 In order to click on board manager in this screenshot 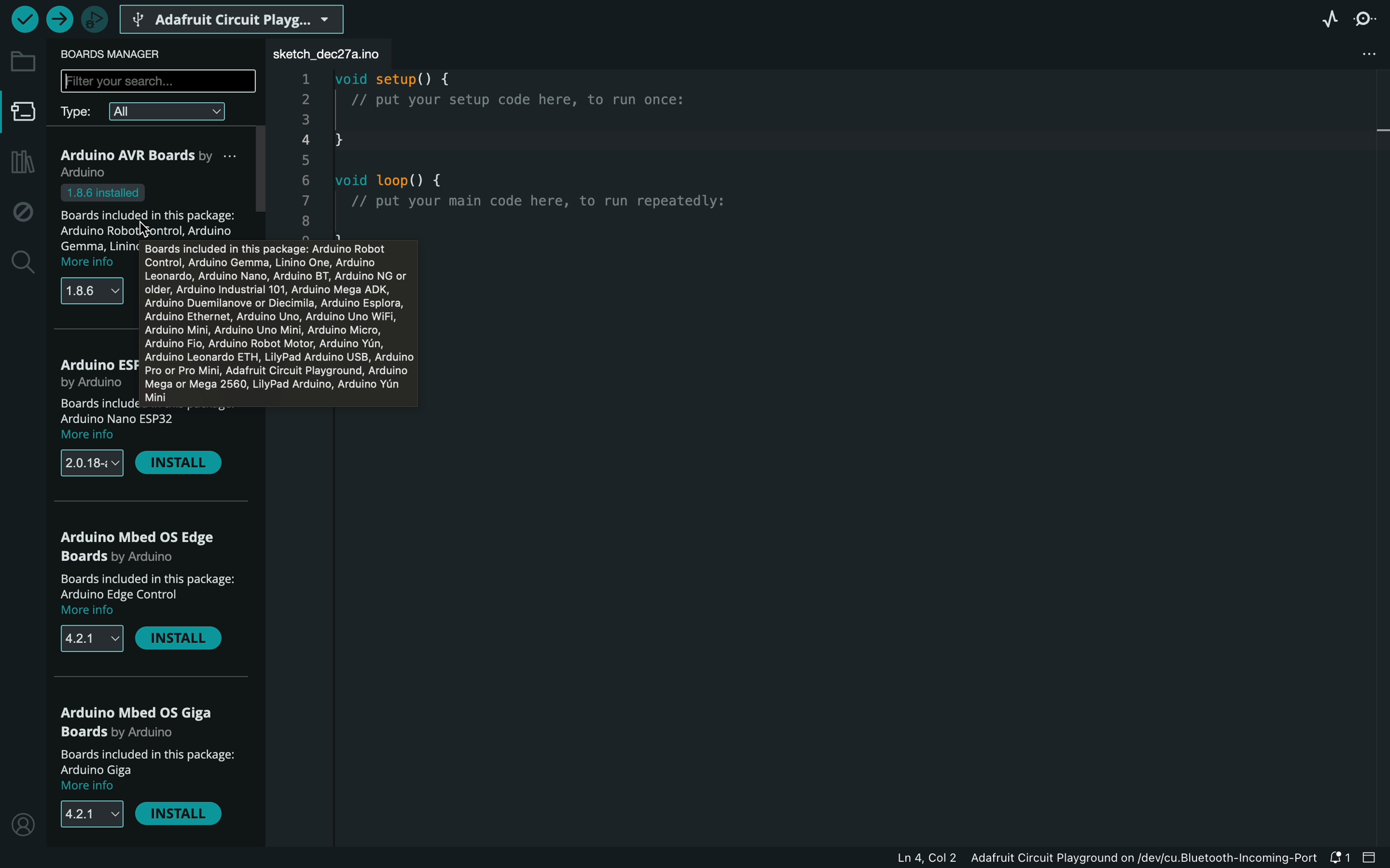, I will do `click(25, 113)`.